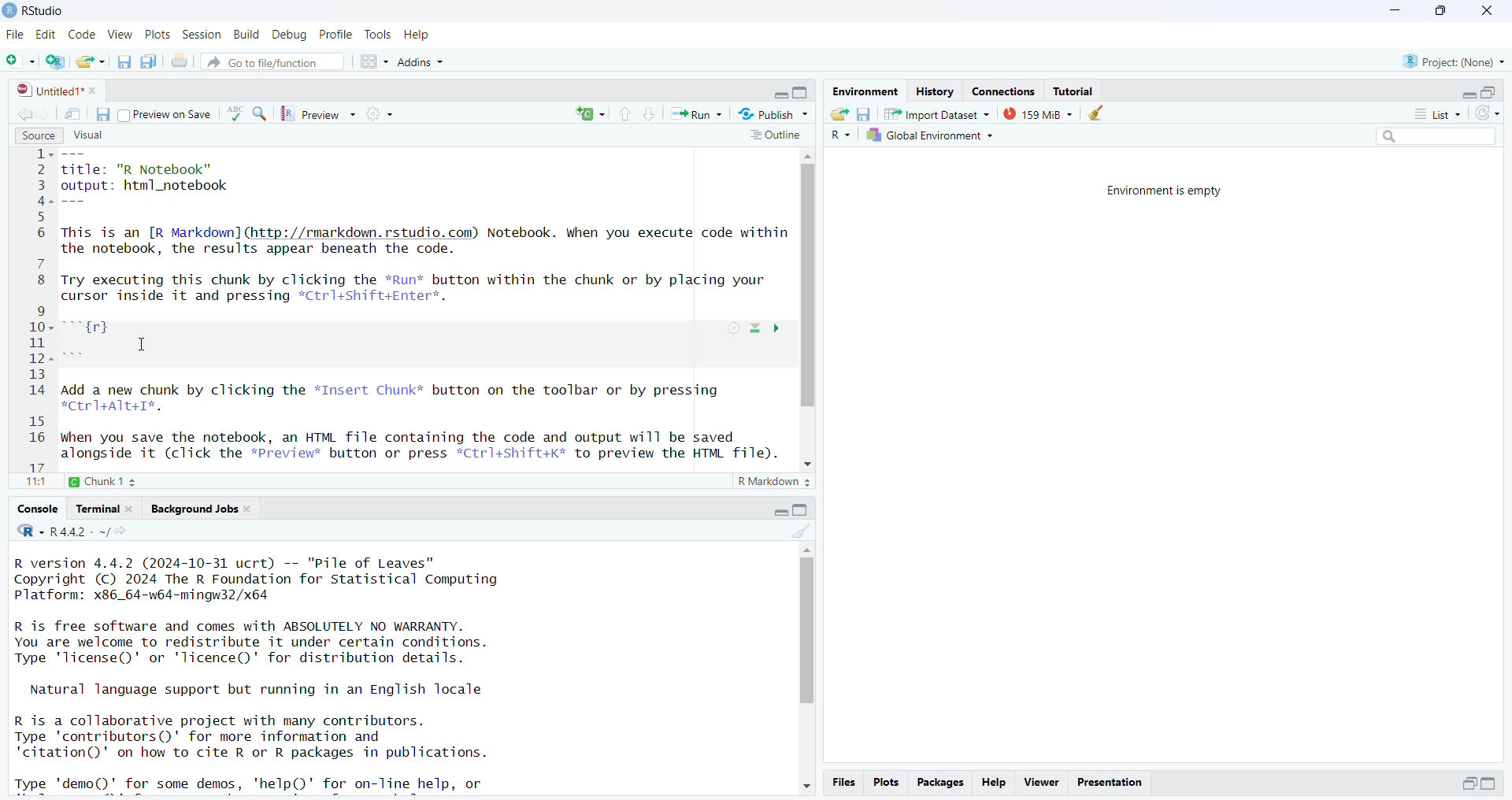  I want to click on background jobs, so click(202, 509).